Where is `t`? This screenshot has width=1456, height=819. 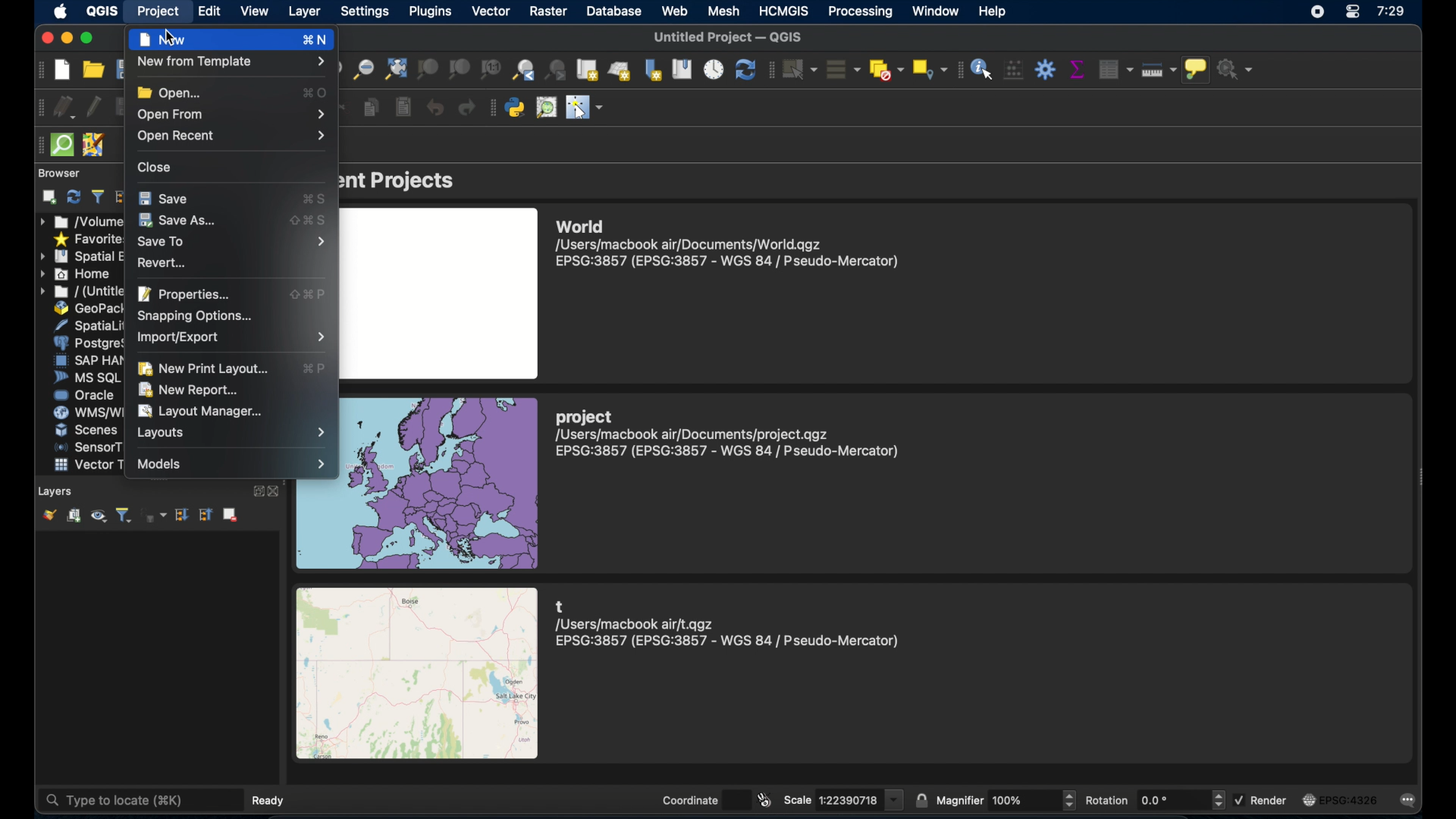 t is located at coordinates (561, 605).